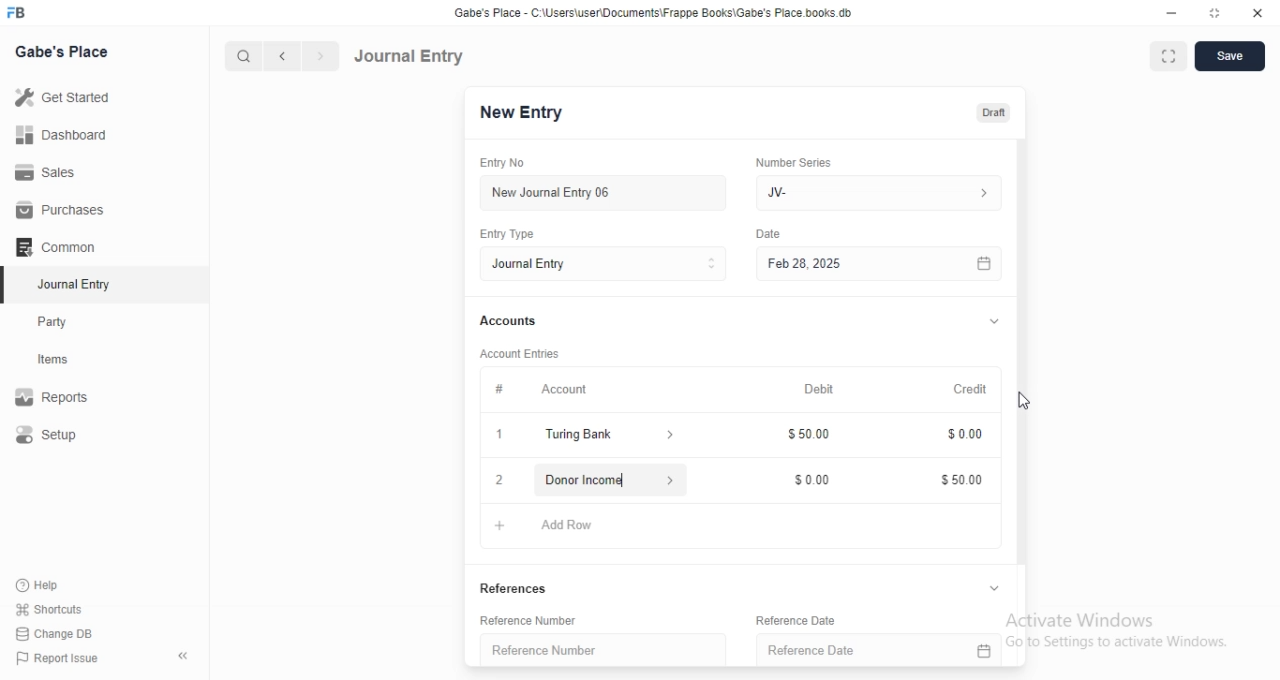 The image size is (1280, 680). I want to click on $000, so click(815, 479).